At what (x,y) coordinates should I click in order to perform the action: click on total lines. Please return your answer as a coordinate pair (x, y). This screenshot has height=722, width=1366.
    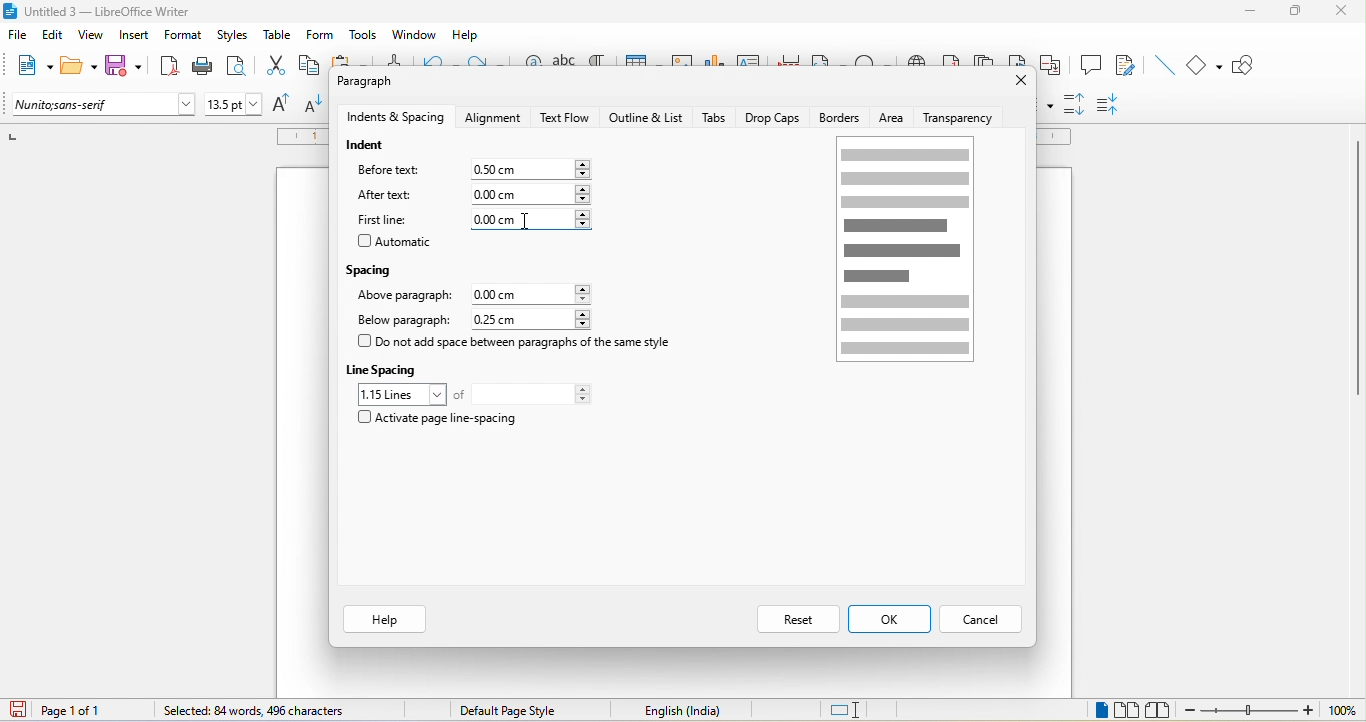
    Looking at the image, I should click on (531, 394).